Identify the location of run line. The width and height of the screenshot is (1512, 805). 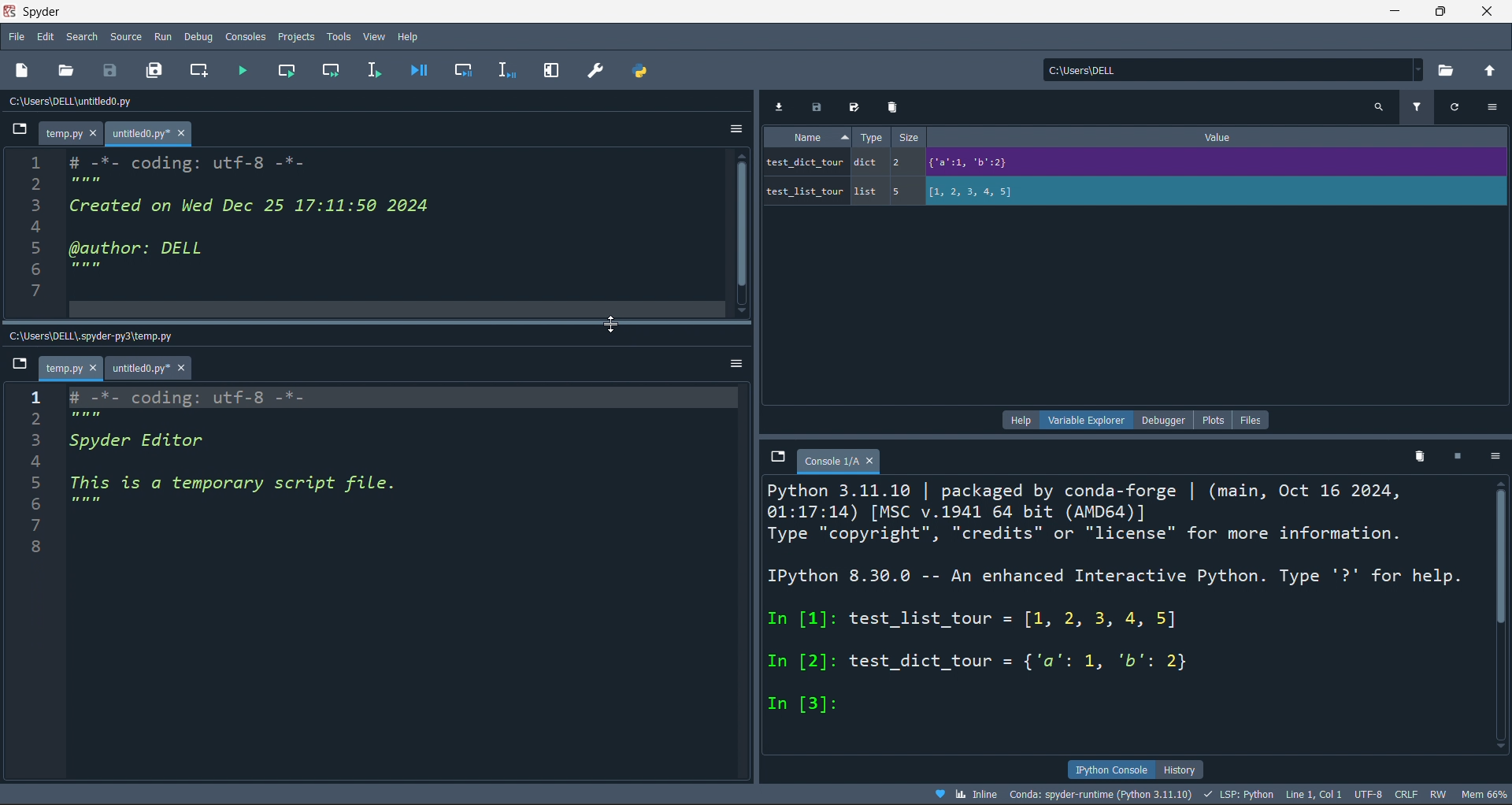
(380, 69).